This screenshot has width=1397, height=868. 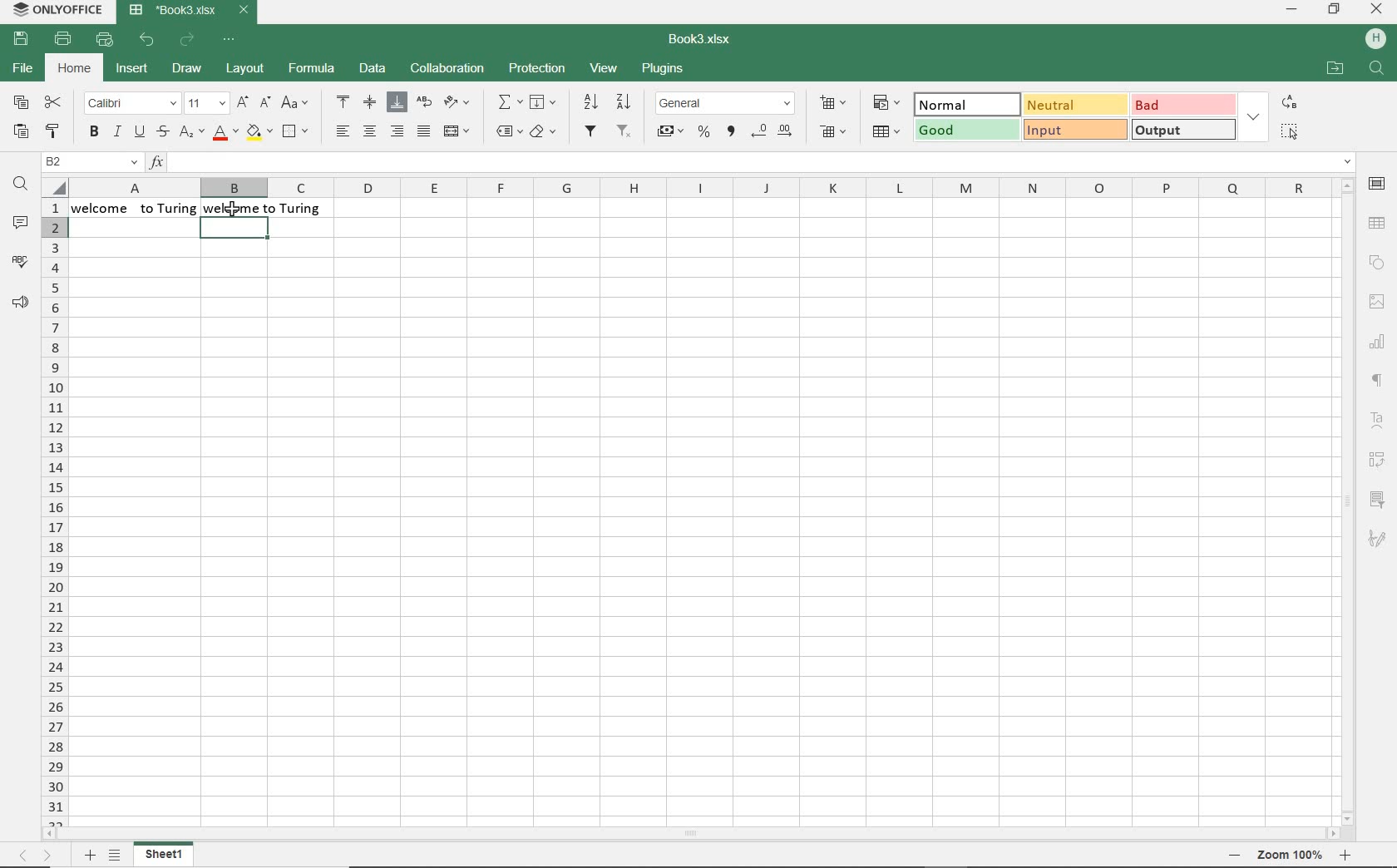 I want to click on formula, so click(x=312, y=68).